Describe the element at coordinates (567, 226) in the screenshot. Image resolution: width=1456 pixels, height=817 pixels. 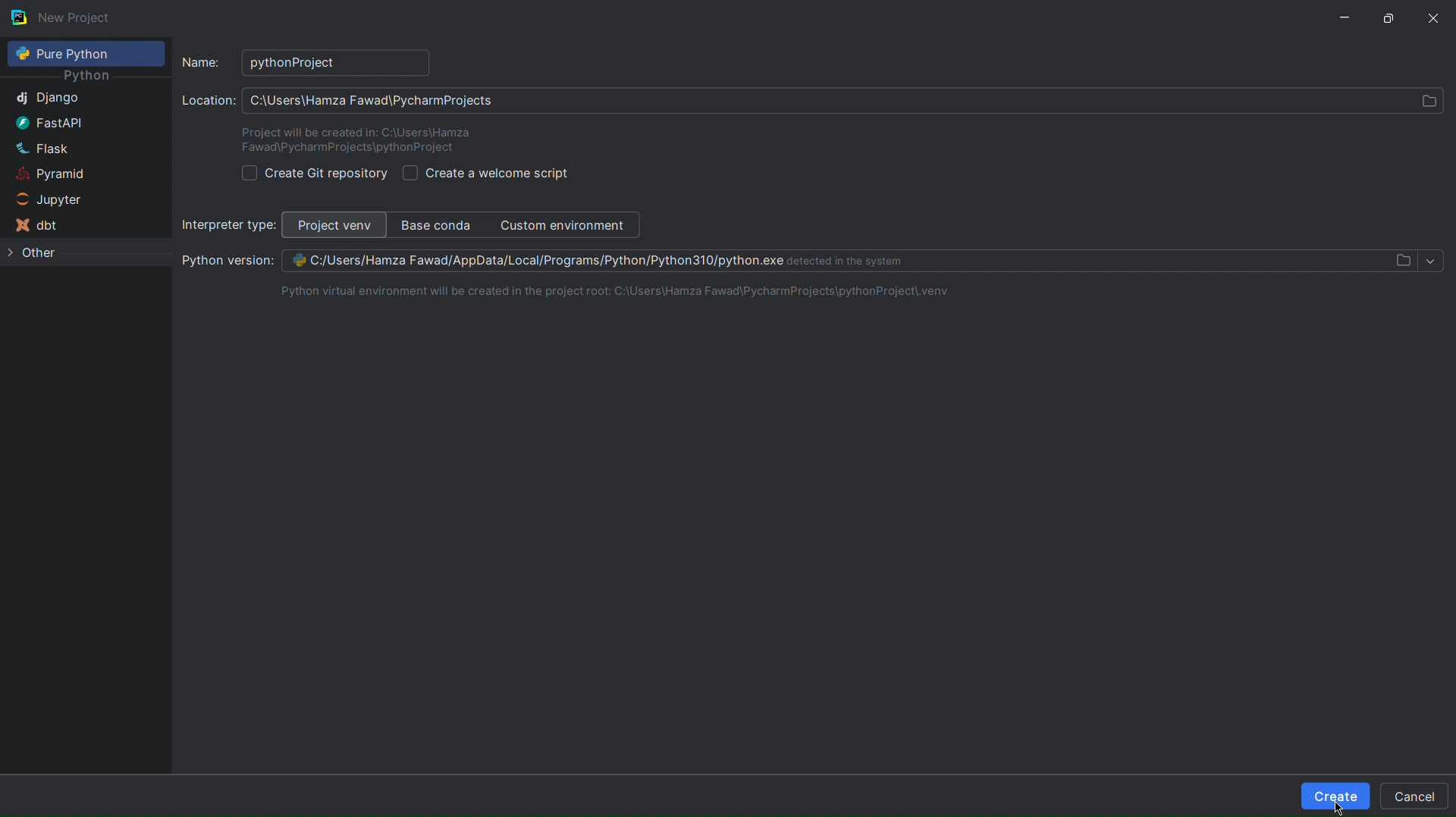
I see `Custom environment` at that location.